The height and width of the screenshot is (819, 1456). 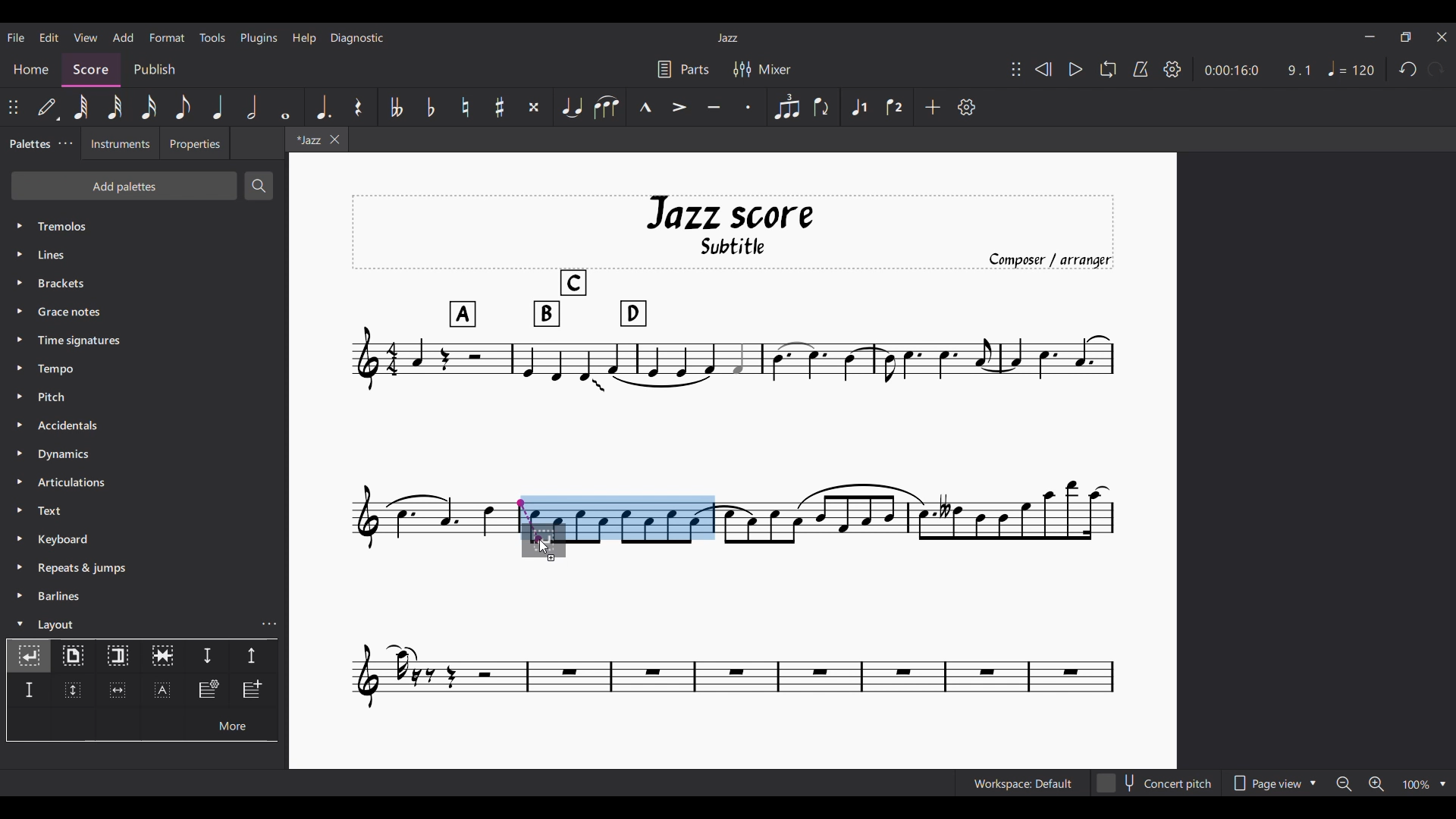 What do you see at coordinates (544, 547) in the screenshot?
I see `Cursor` at bounding box center [544, 547].